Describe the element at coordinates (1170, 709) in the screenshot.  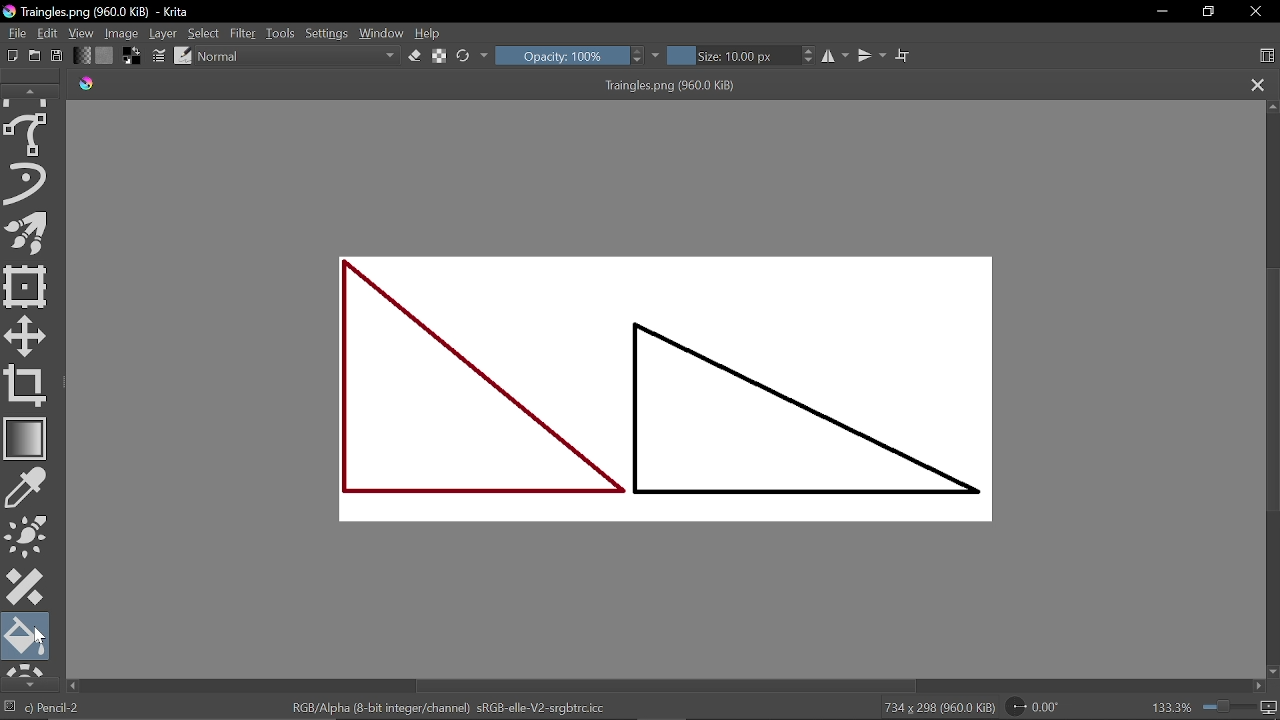
I see `133.3%` at that location.